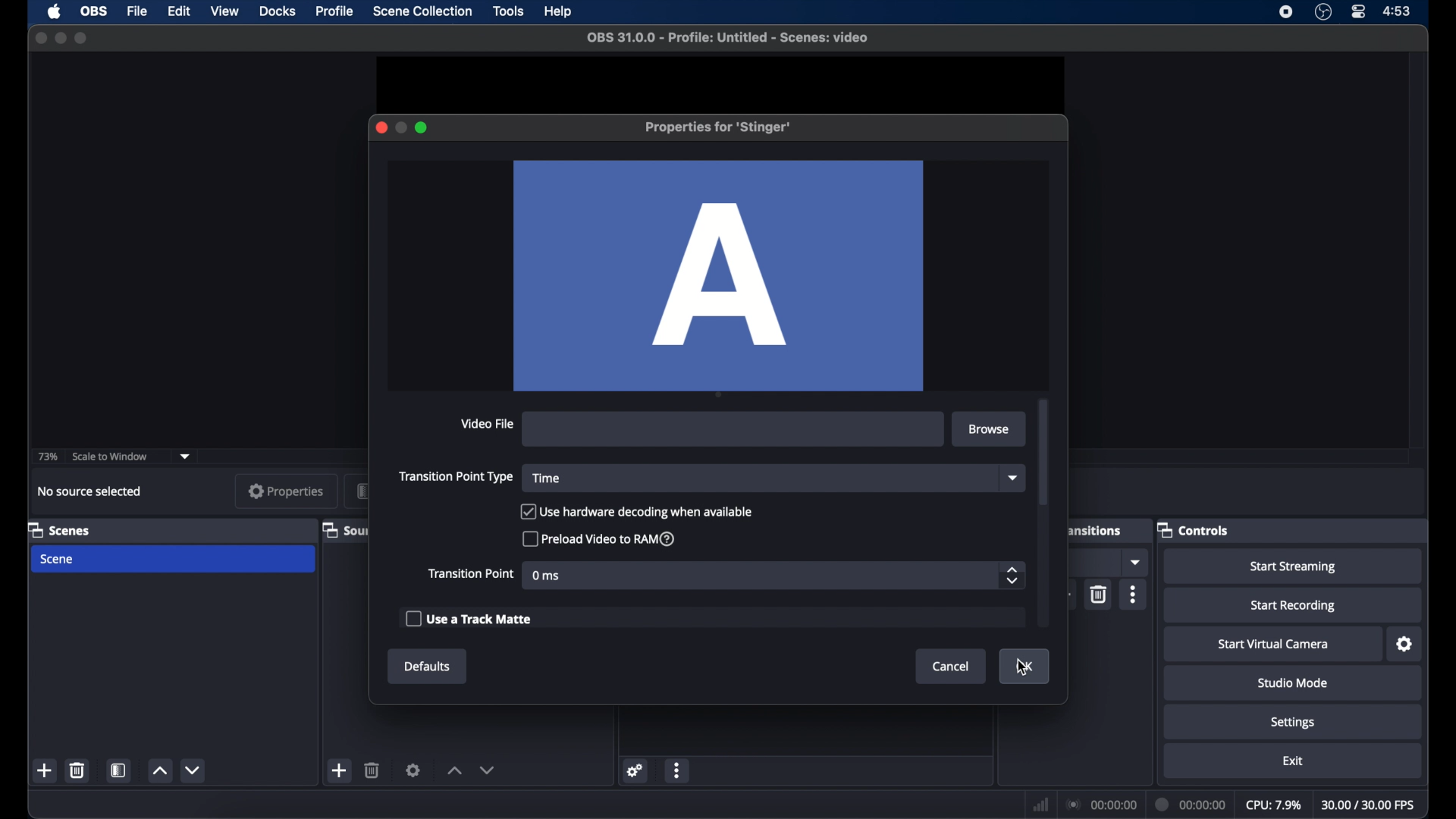 Image resolution: width=1456 pixels, height=819 pixels. I want to click on control center, so click(1359, 12).